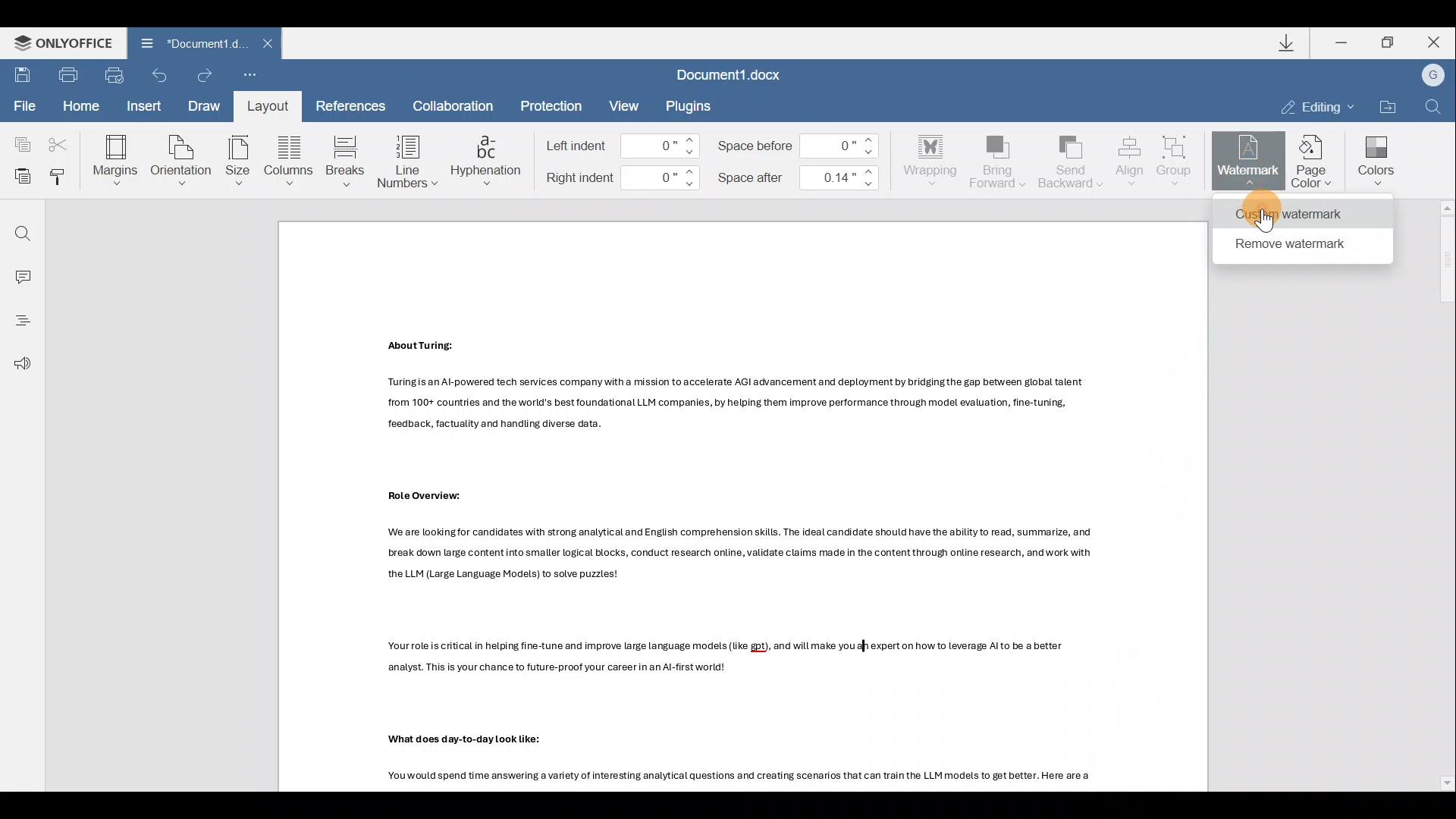  I want to click on Home, so click(86, 106).